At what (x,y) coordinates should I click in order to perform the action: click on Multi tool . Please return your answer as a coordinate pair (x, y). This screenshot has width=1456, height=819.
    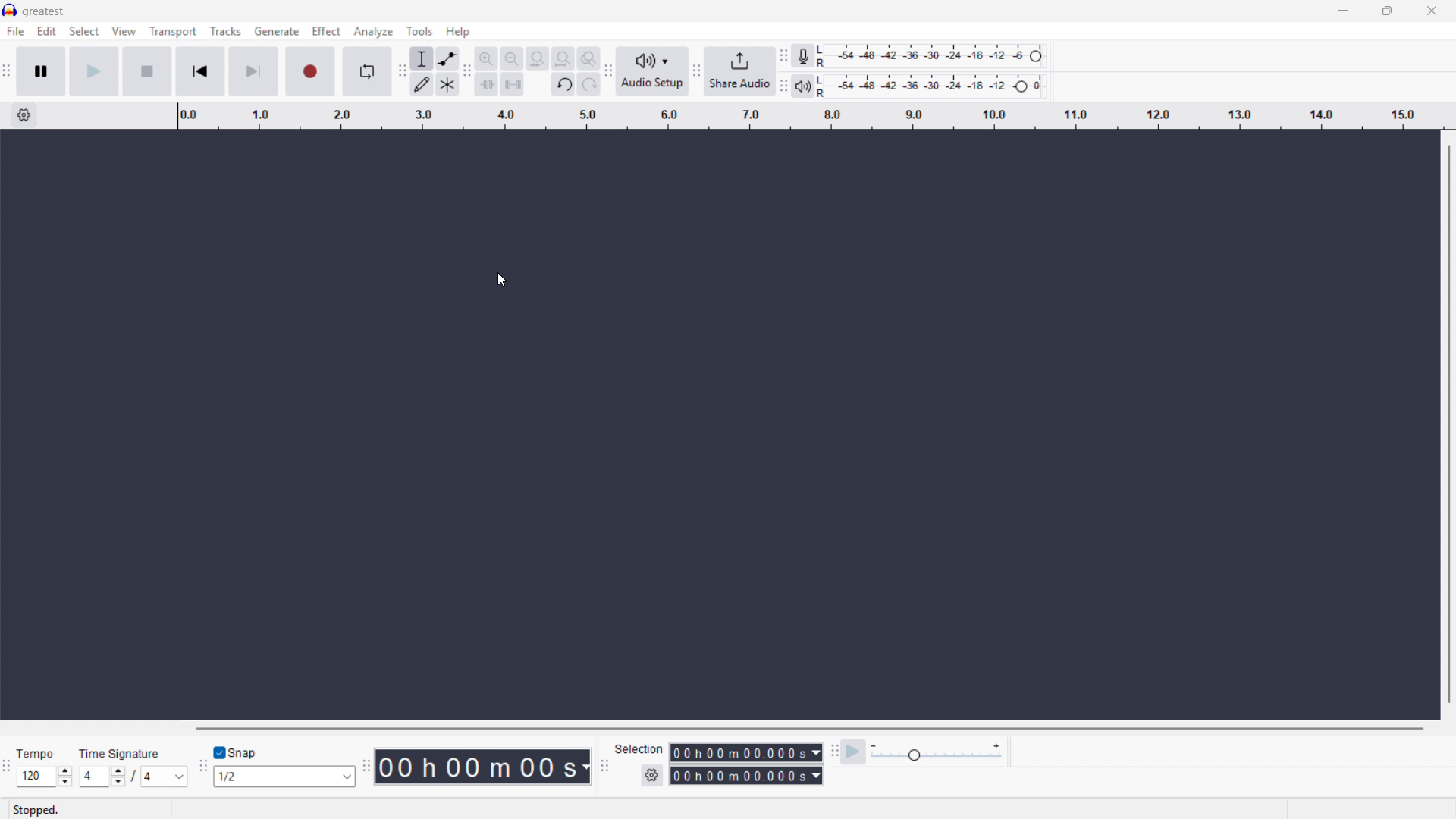
    Looking at the image, I should click on (447, 85).